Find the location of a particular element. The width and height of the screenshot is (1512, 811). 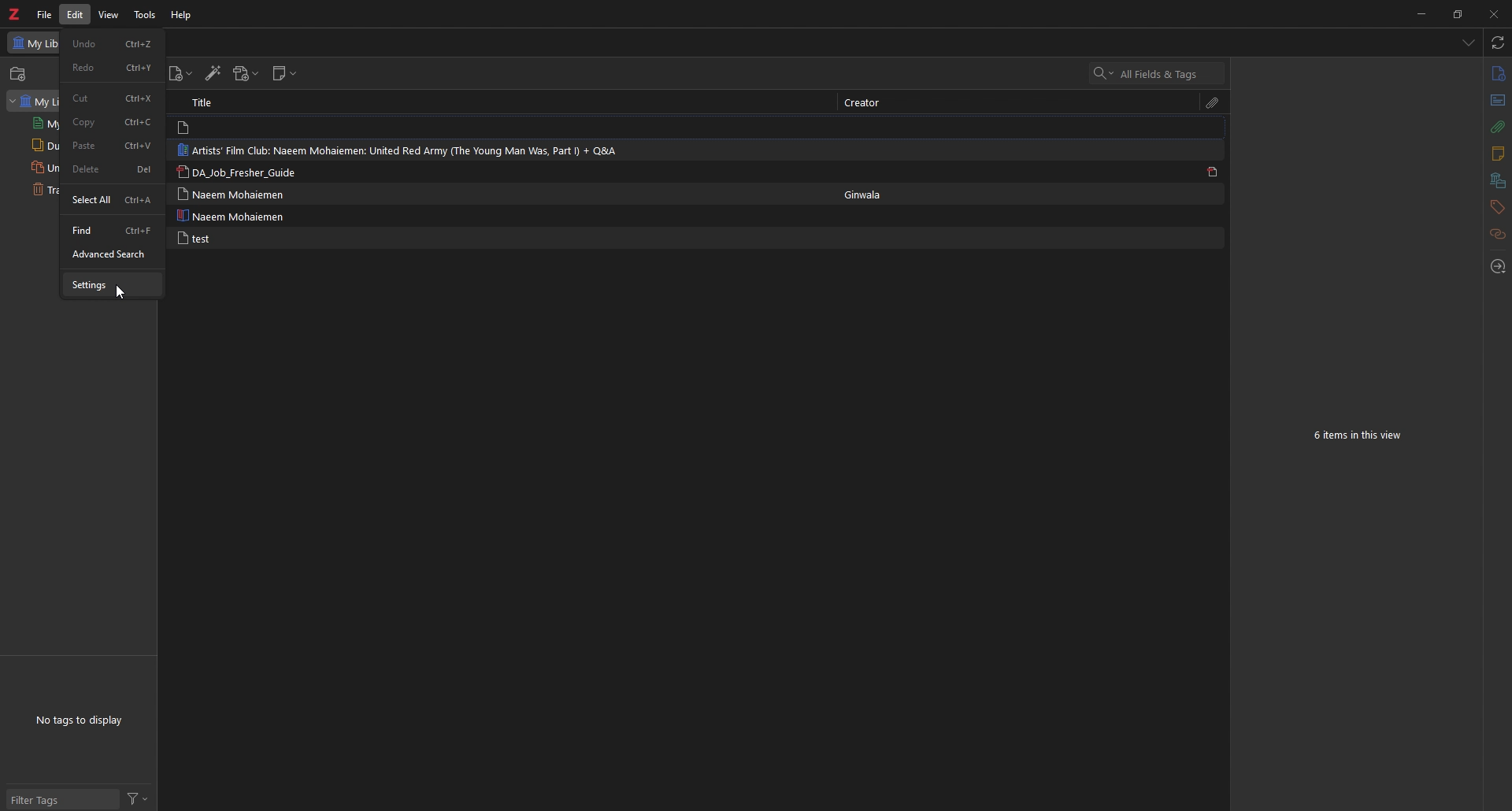

add items by identifier is located at coordinates (213, 75).